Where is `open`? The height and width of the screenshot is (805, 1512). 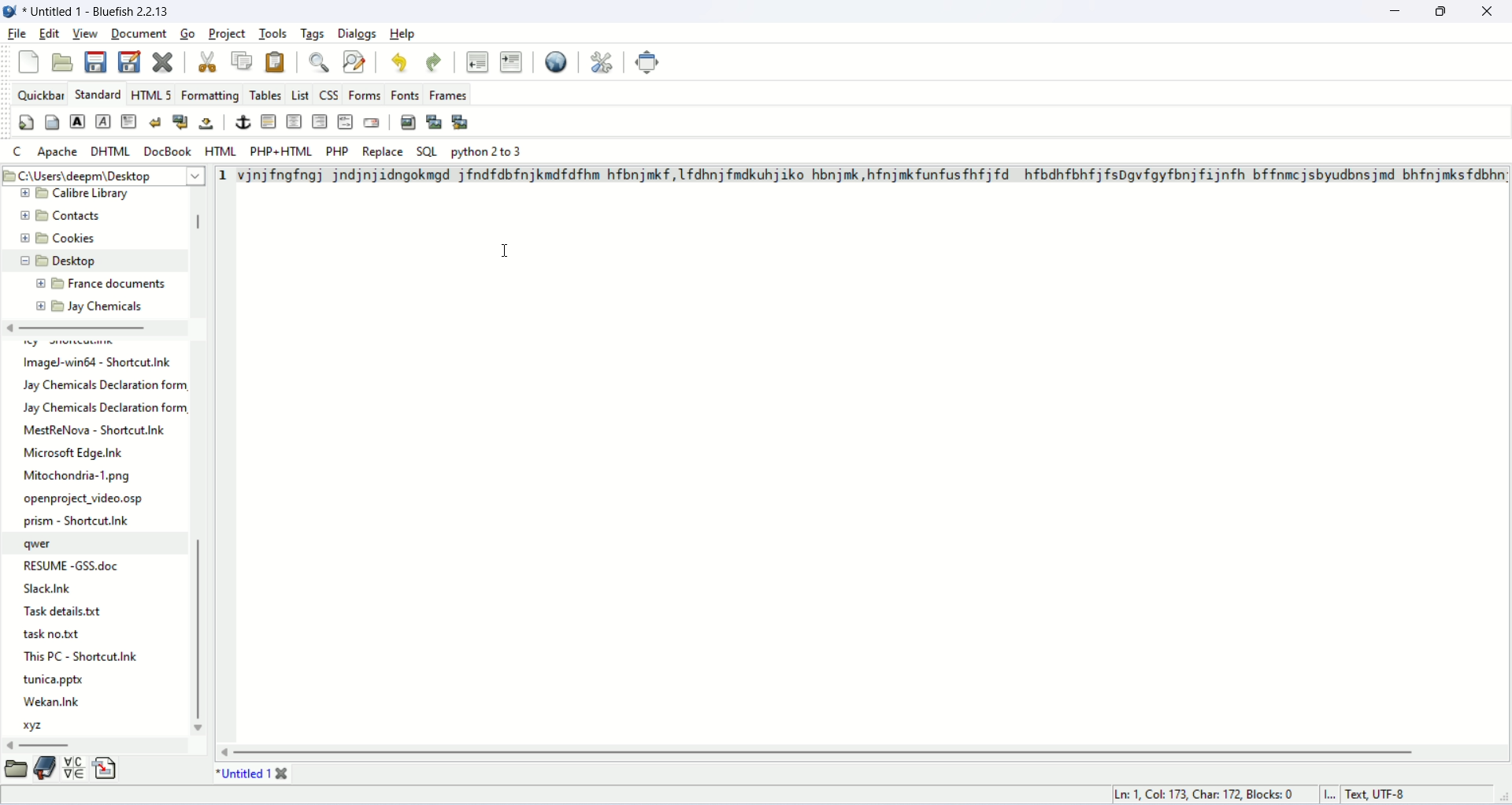 open is located at coordinates (64, 63).